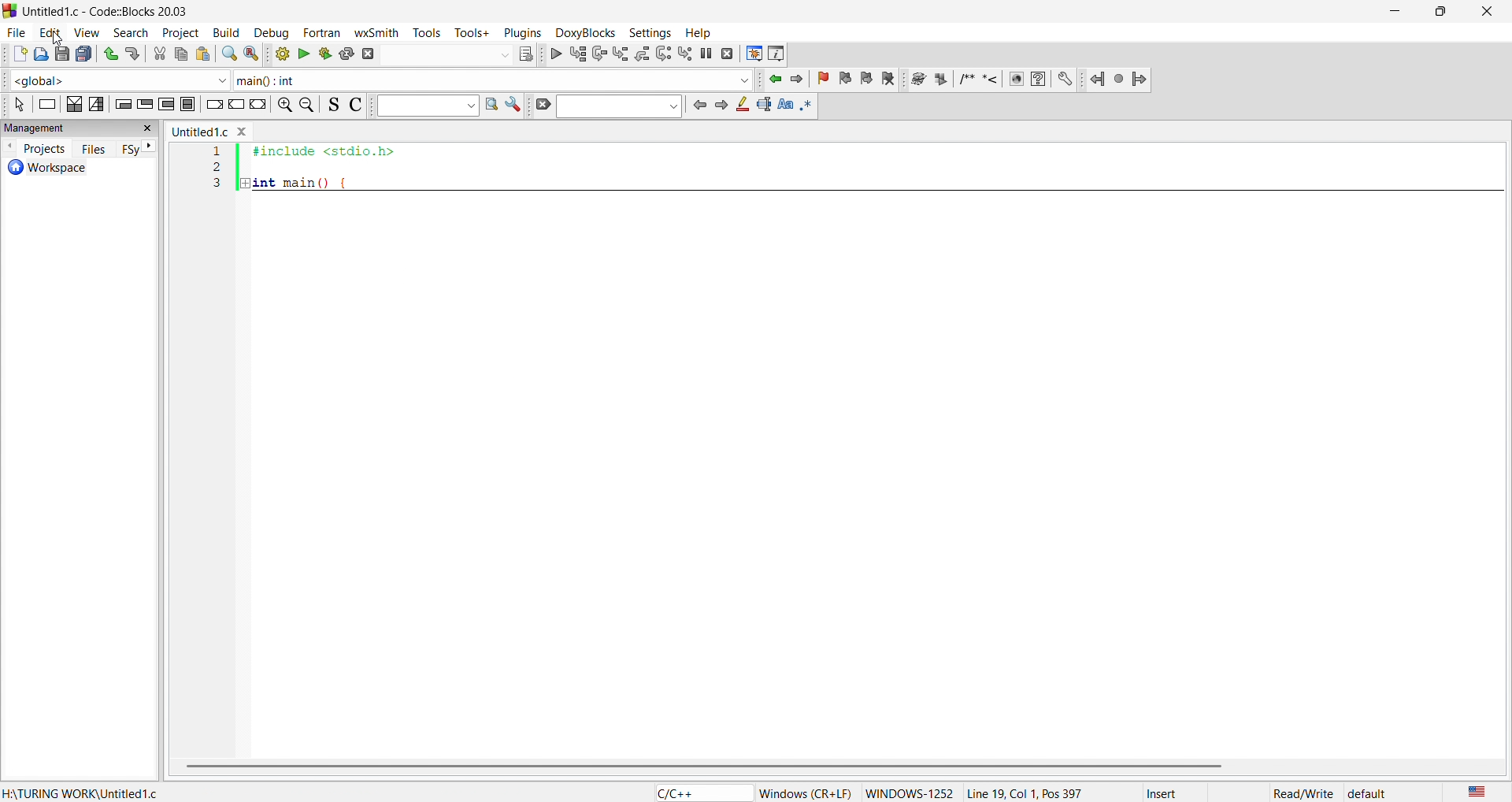  I want to click on Insert, so click(1176, 793).